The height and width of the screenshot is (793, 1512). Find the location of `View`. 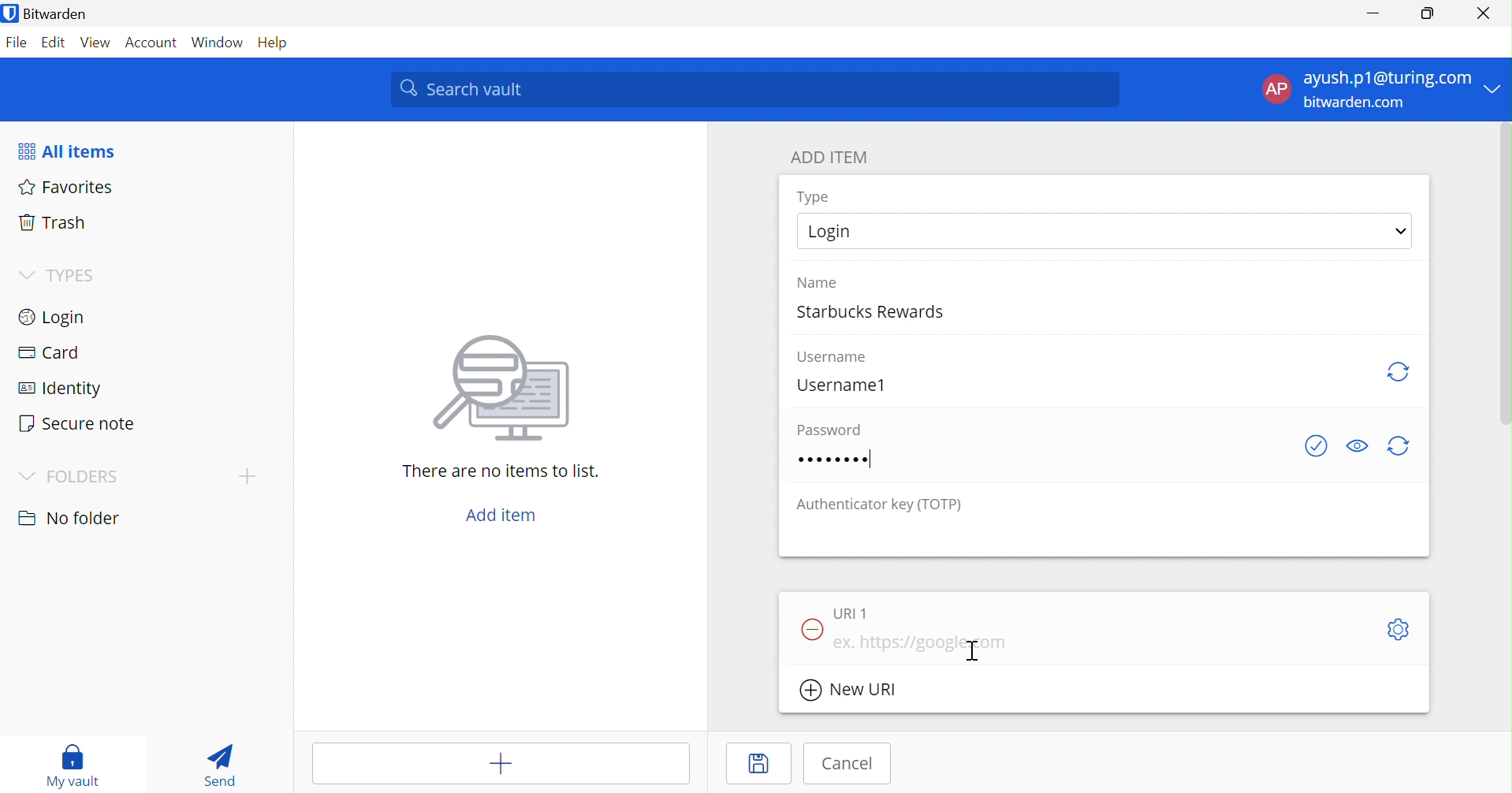

View is located at coordinates (95, 45).